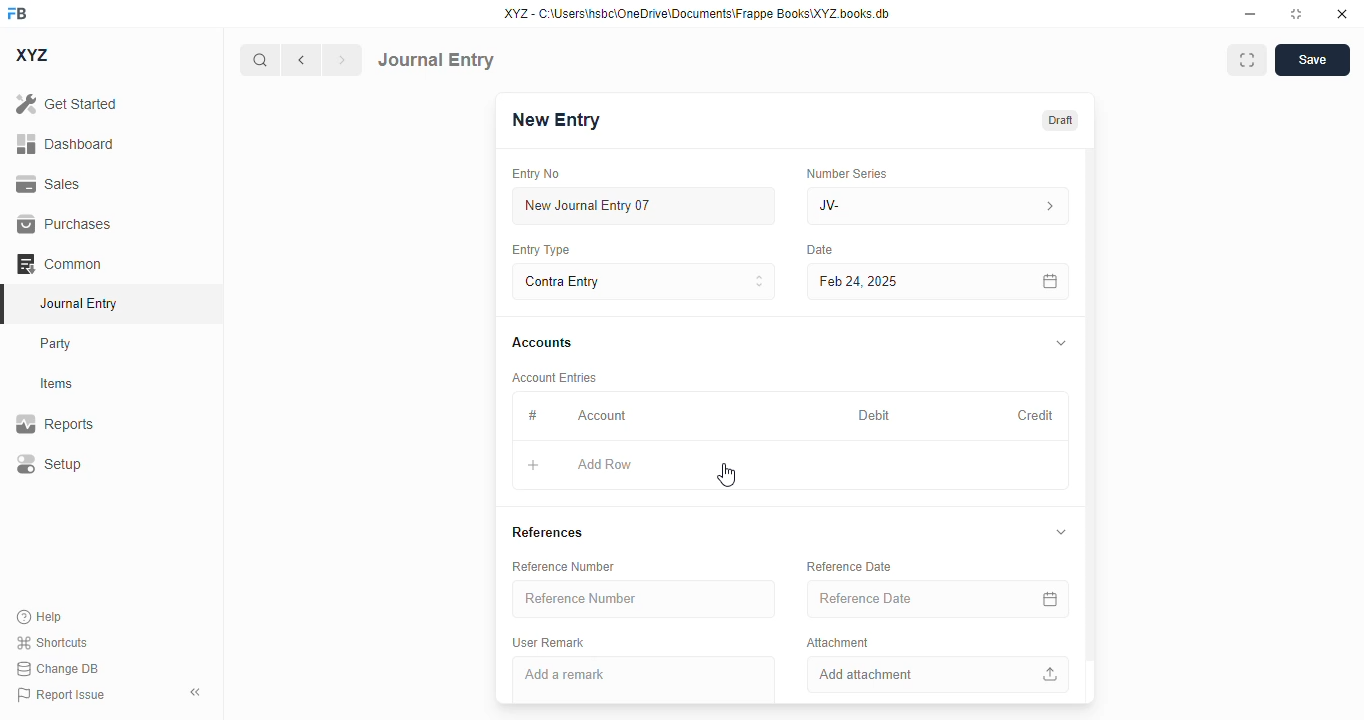 The width and height of the screenshot is (1364, 720). Describe the element at coordinates (643, 280) in the screenshot. I see `contra entry ` at that location.